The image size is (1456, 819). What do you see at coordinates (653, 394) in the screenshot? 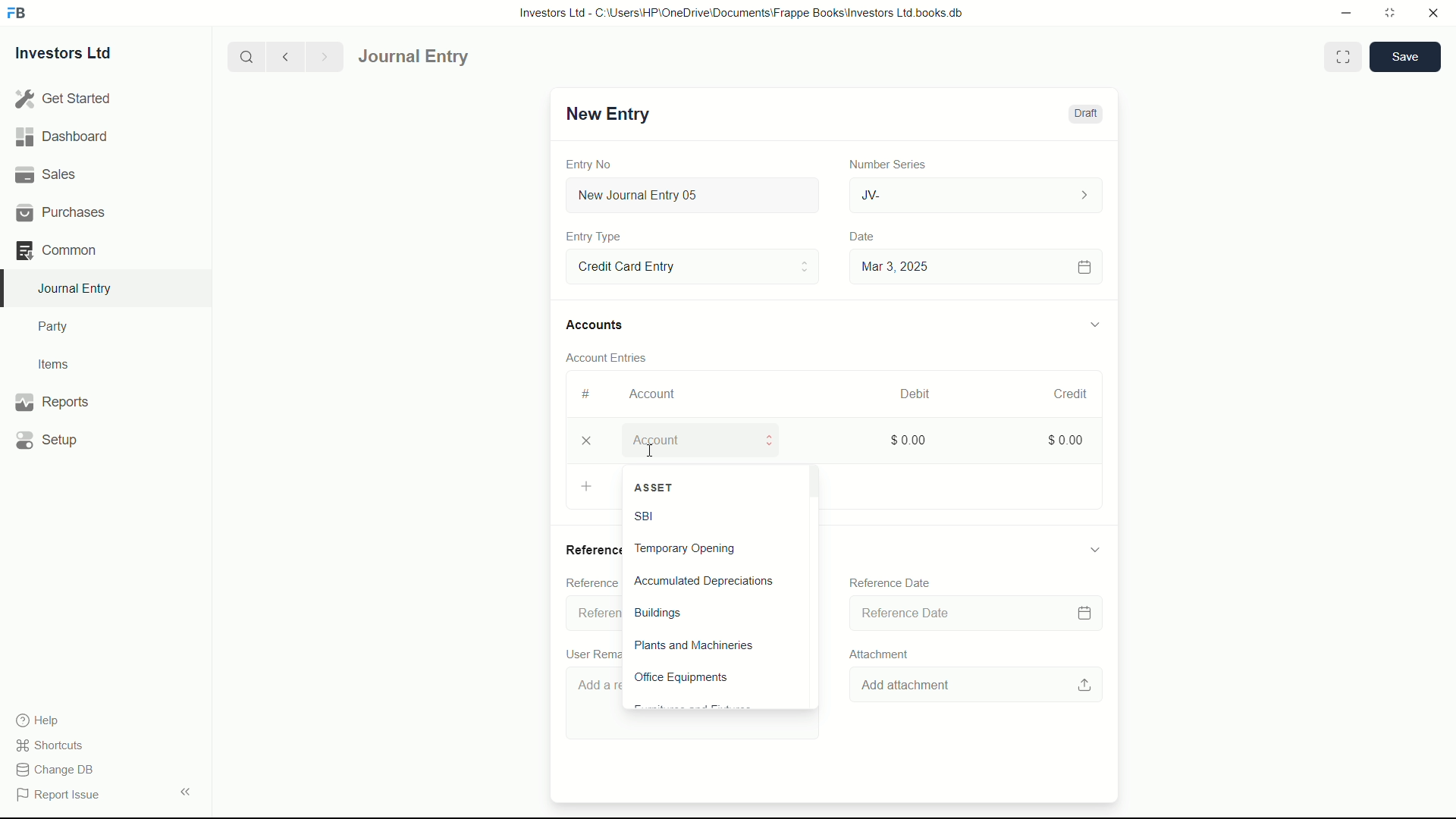
I see `Account` at bounding box center [653, 394].